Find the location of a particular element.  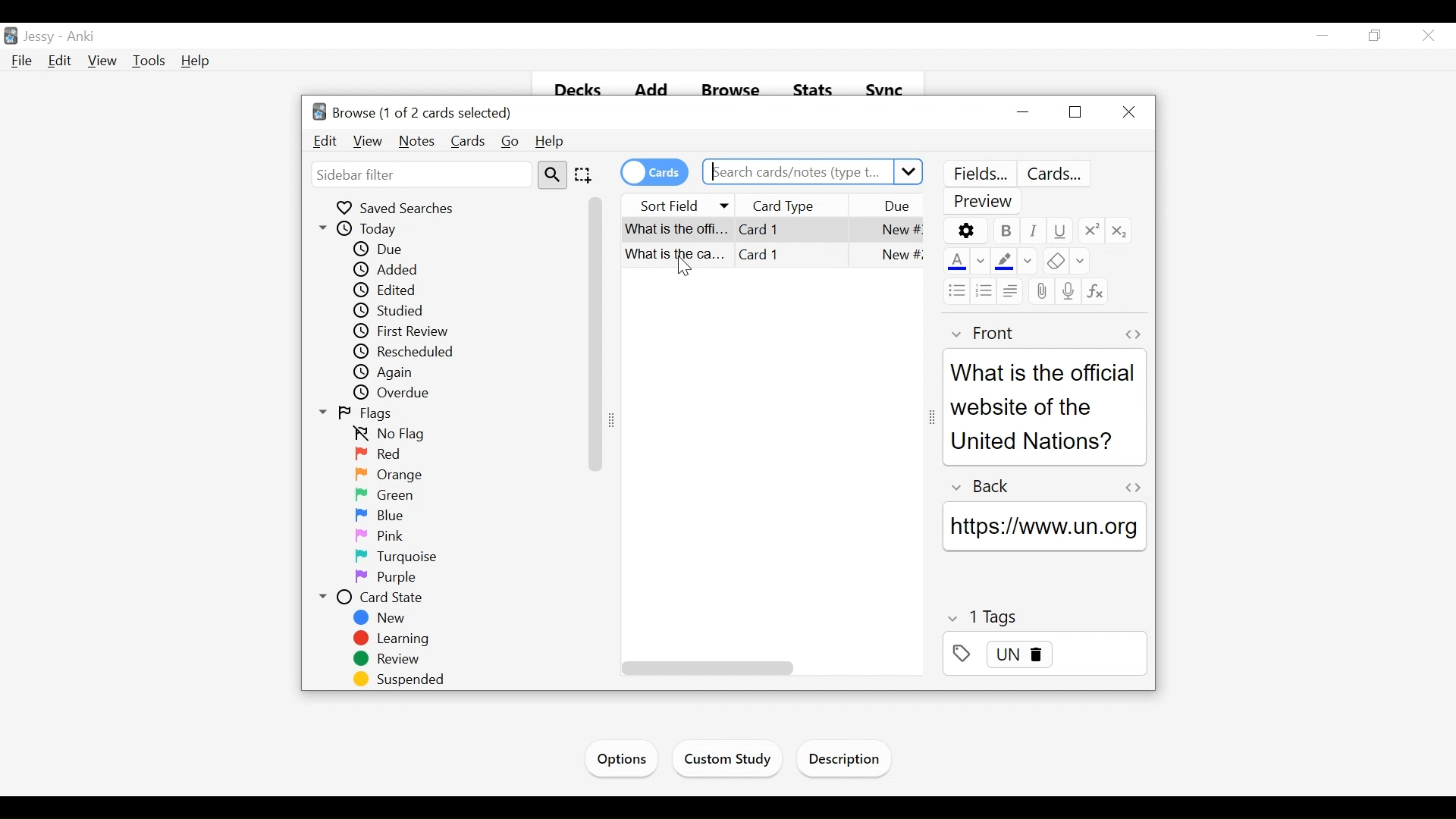

Purple is located at coordinates (385, 579).